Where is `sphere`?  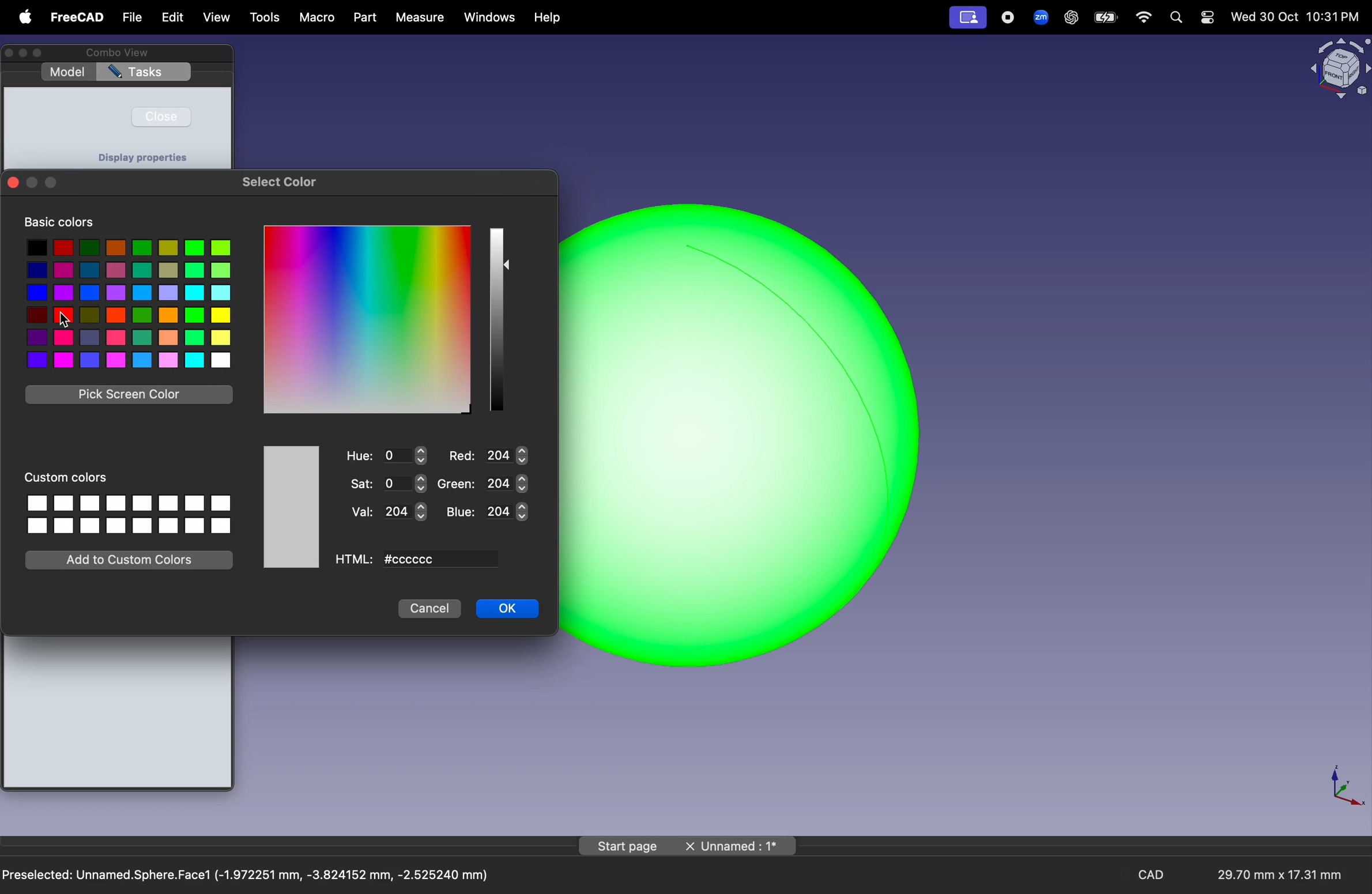
sphere is located at coordinates (748, 435).